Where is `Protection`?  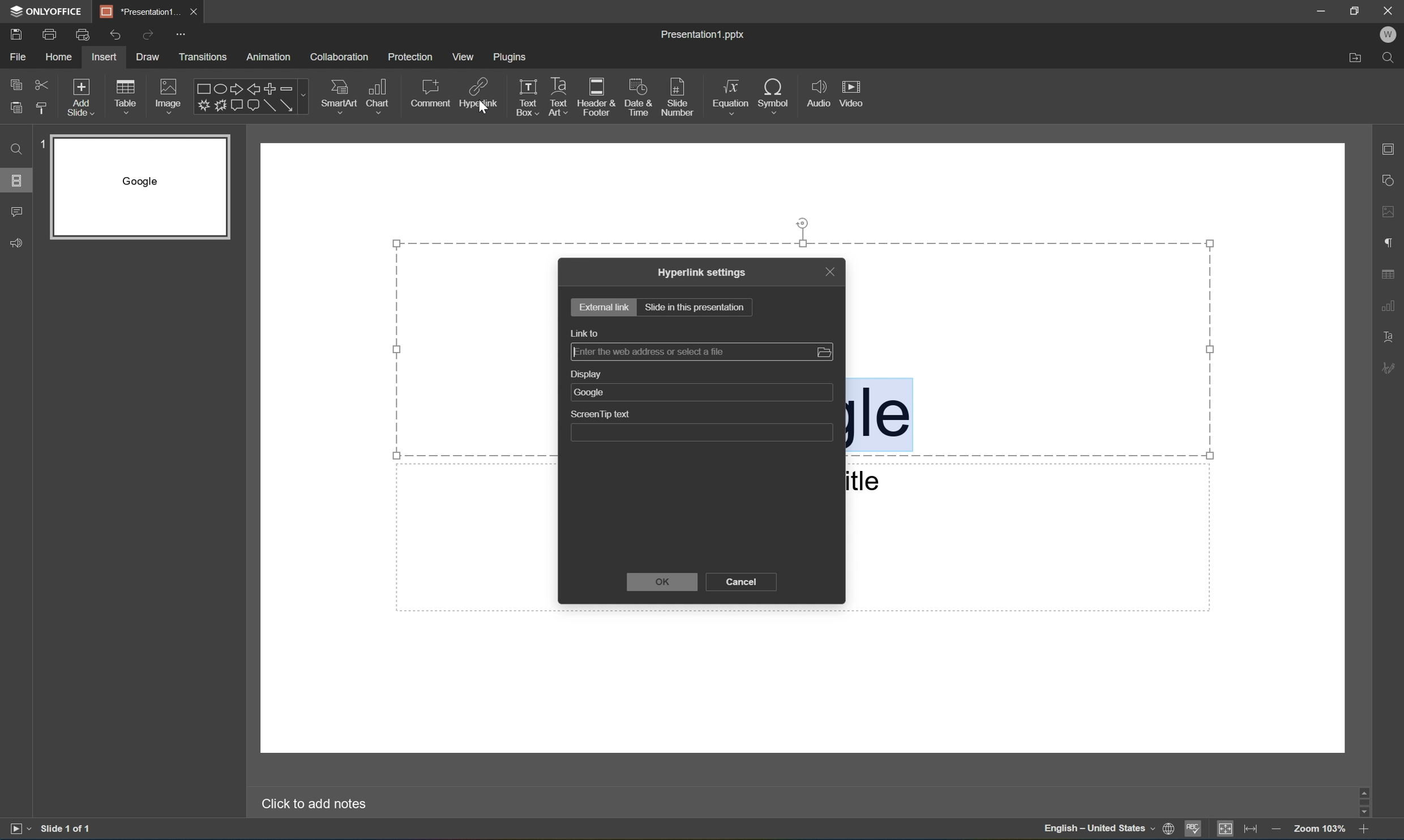 Protection is located at coordinates (412, 57).